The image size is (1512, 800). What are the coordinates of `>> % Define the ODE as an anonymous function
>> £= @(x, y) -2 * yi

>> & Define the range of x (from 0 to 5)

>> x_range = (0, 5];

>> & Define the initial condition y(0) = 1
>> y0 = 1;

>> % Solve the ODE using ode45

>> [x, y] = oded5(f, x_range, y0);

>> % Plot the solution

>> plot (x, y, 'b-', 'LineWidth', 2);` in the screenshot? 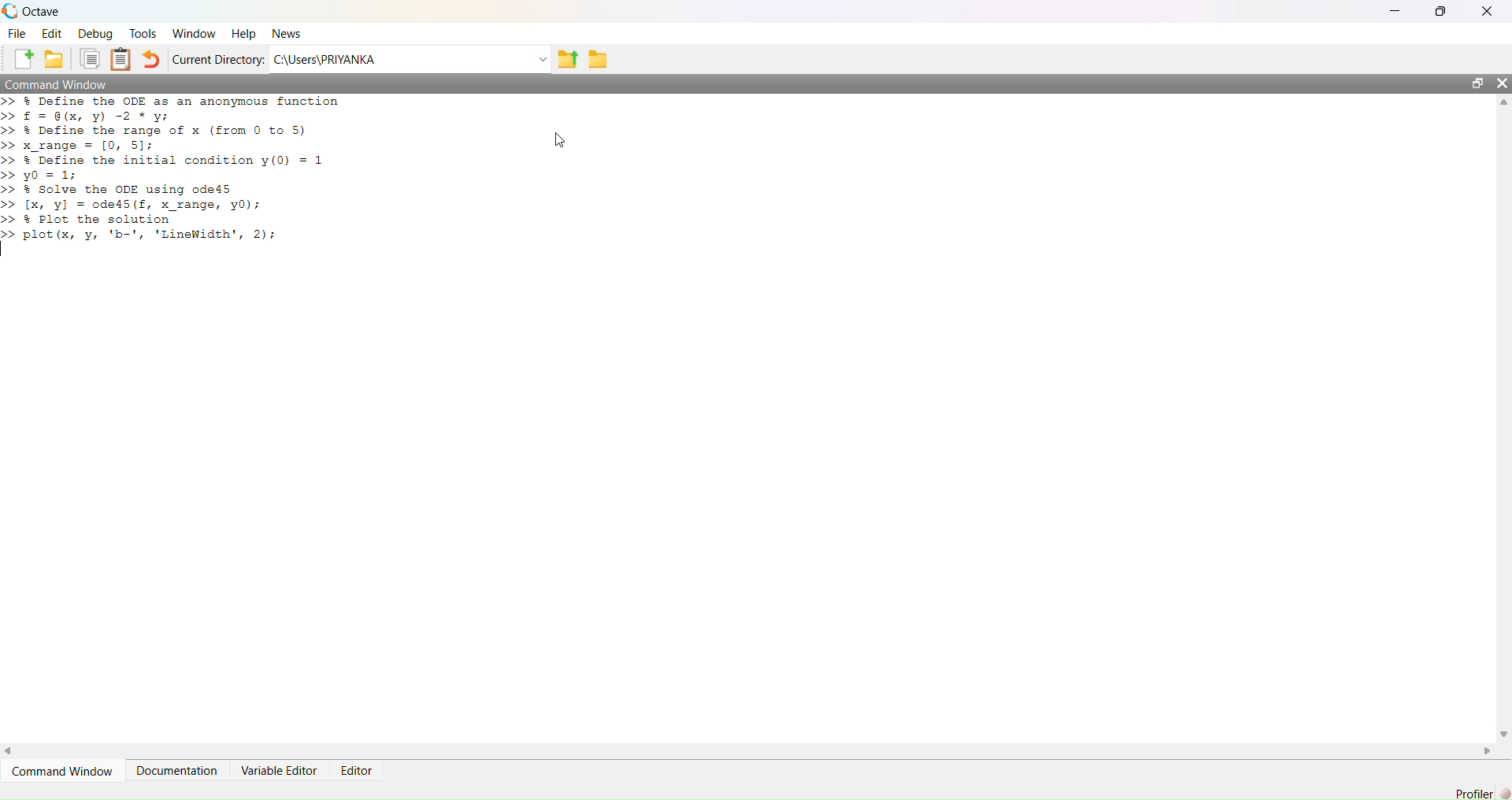 It's located at (176, 169).